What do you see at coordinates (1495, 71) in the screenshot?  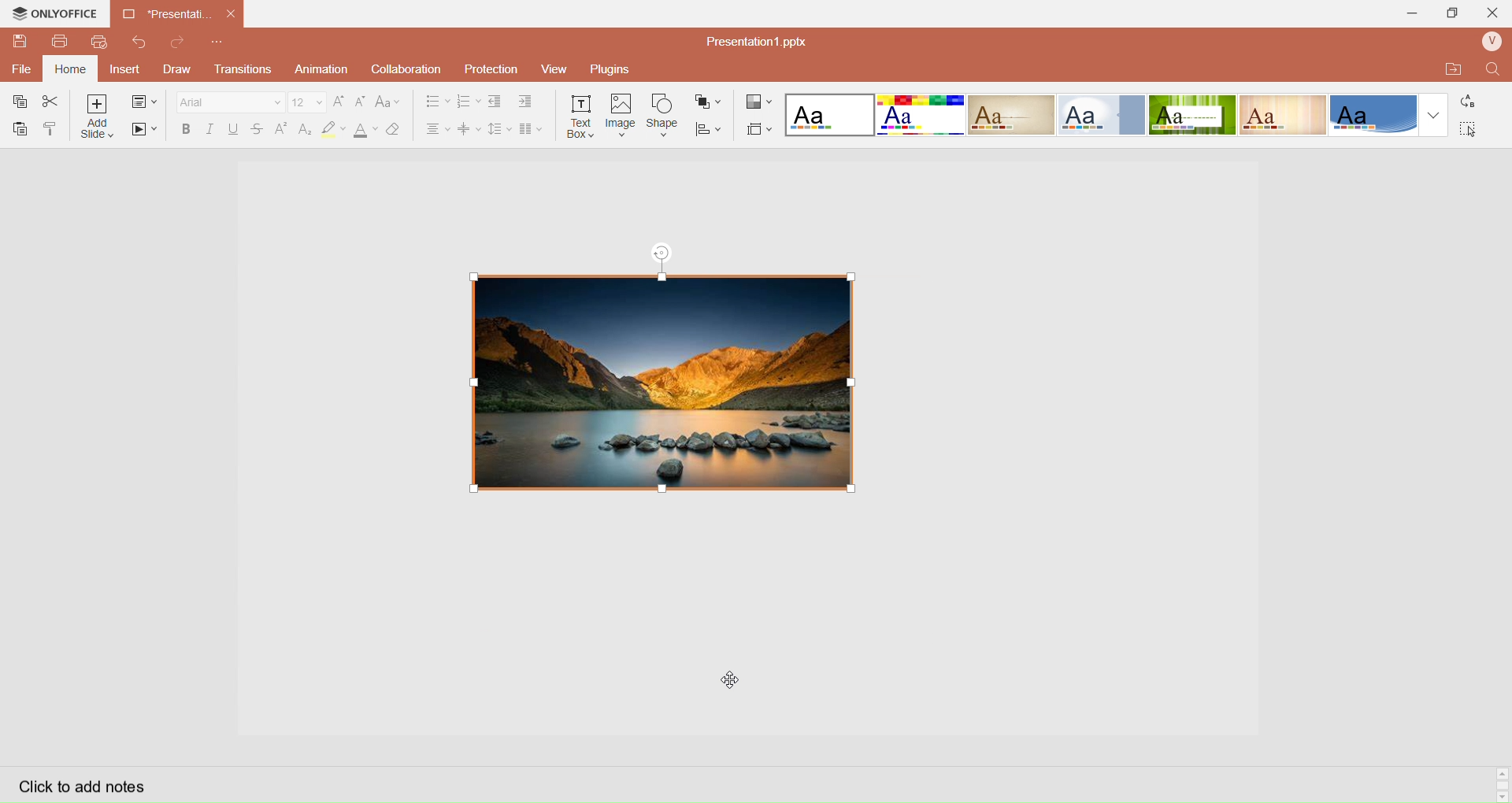 I see `Find` at bounding box center [1495, 71].